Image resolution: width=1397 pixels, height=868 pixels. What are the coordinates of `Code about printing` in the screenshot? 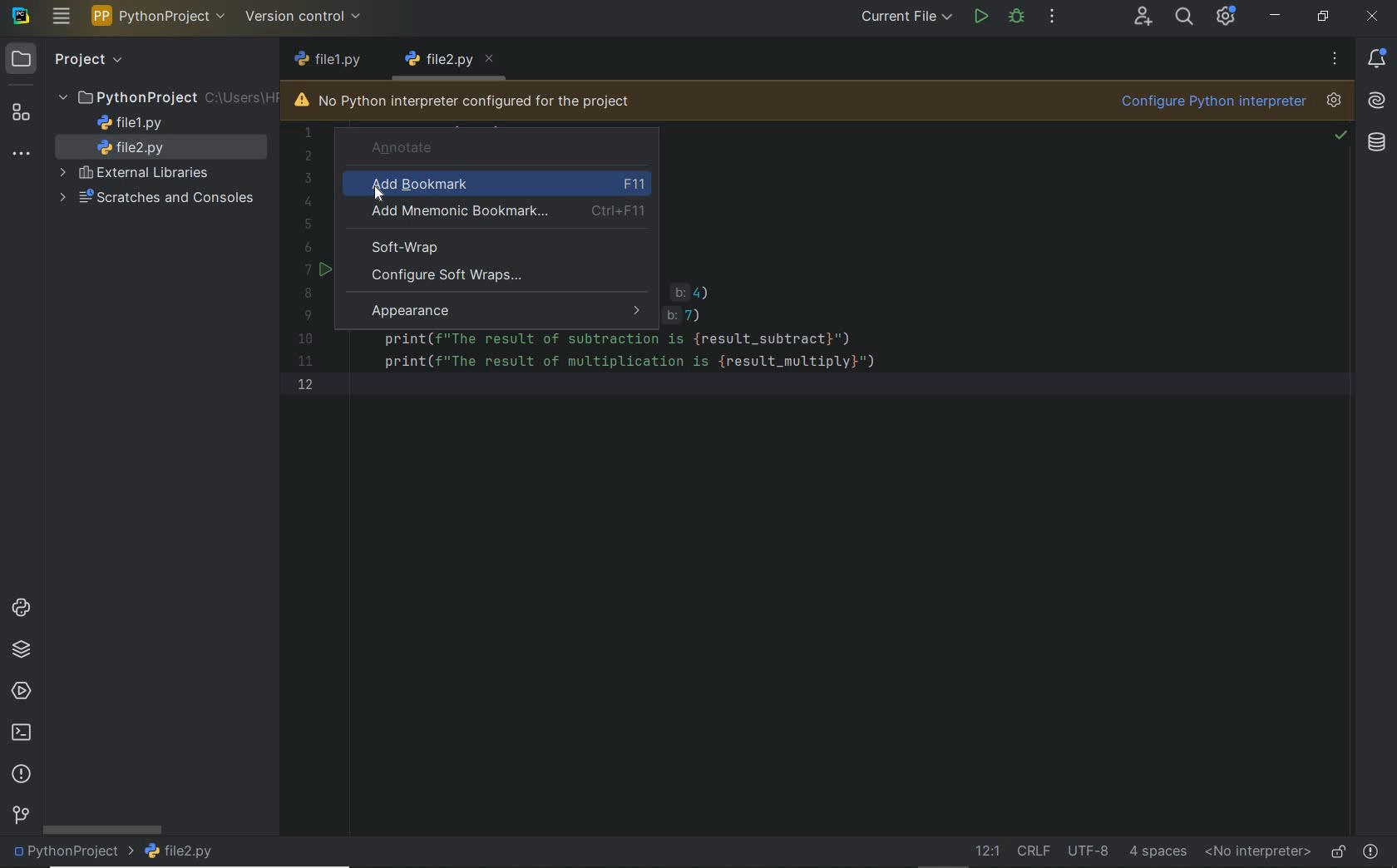 It's located at (631, 359).